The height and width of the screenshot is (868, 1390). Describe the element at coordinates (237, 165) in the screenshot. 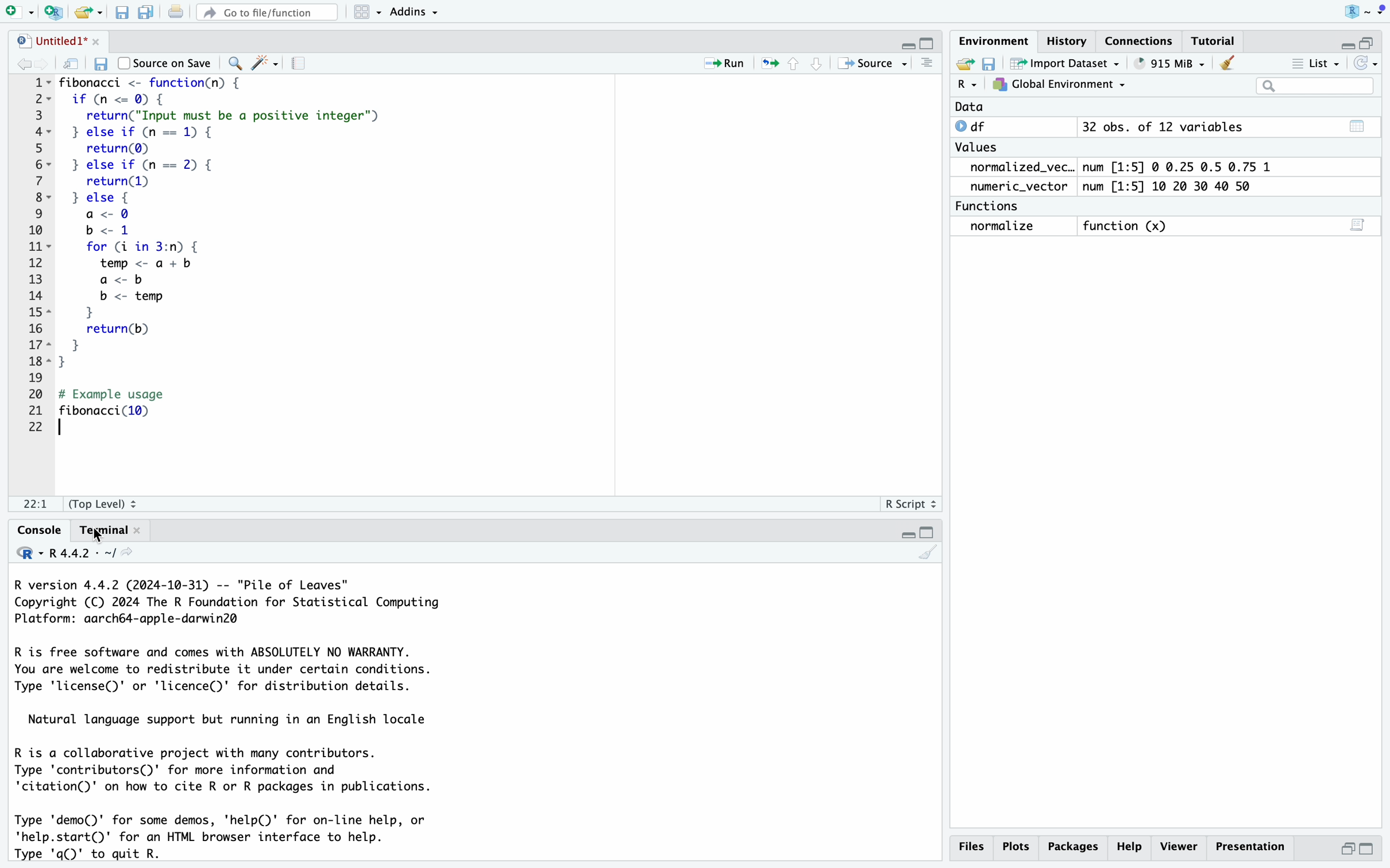

I see `if else loop ` at that location.